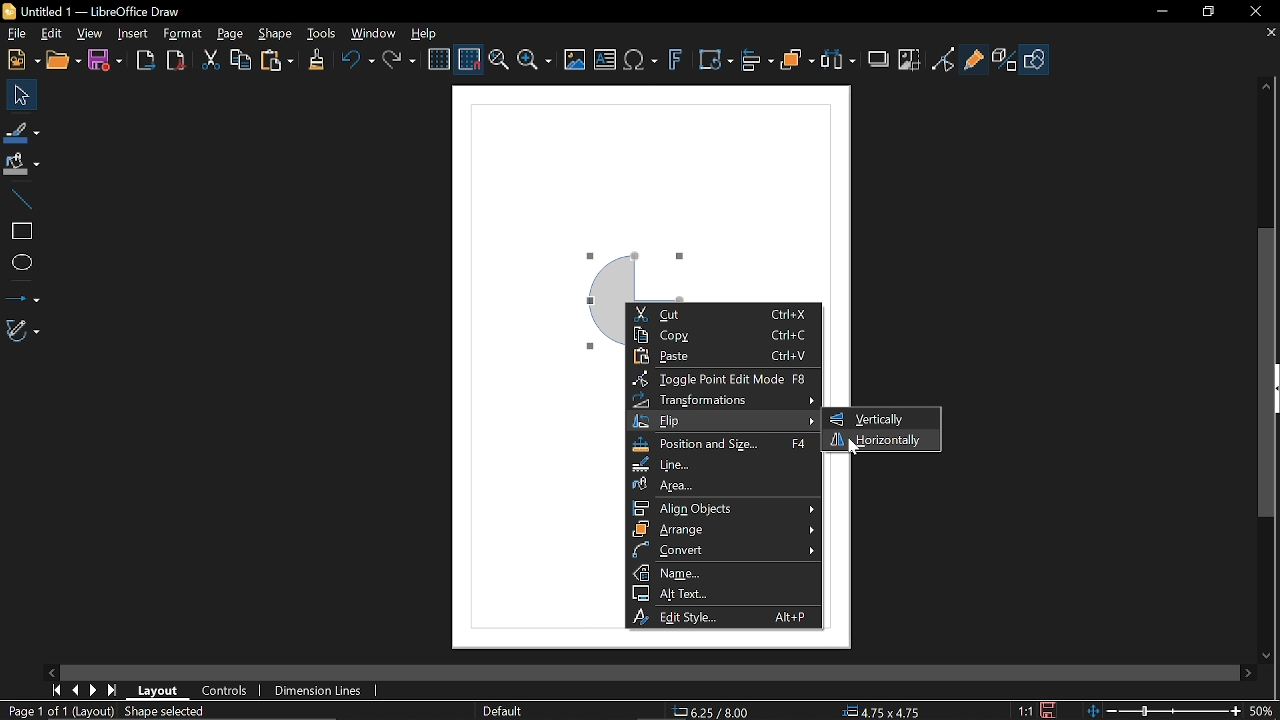 The height and width of the screenshot is (720, 1280). I want to click on Tools, so click(322, 34).